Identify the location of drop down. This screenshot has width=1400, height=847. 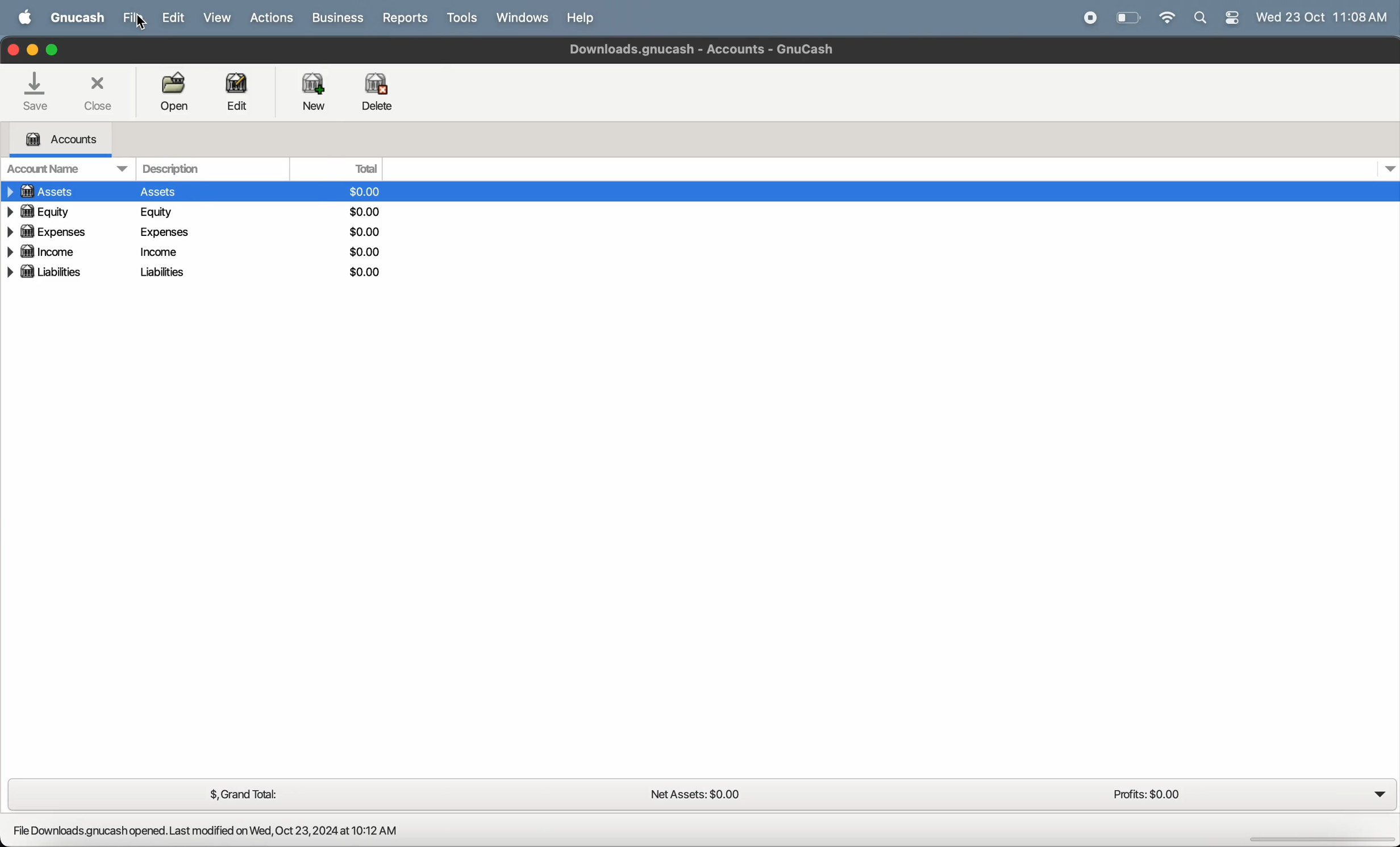
(124, 169).